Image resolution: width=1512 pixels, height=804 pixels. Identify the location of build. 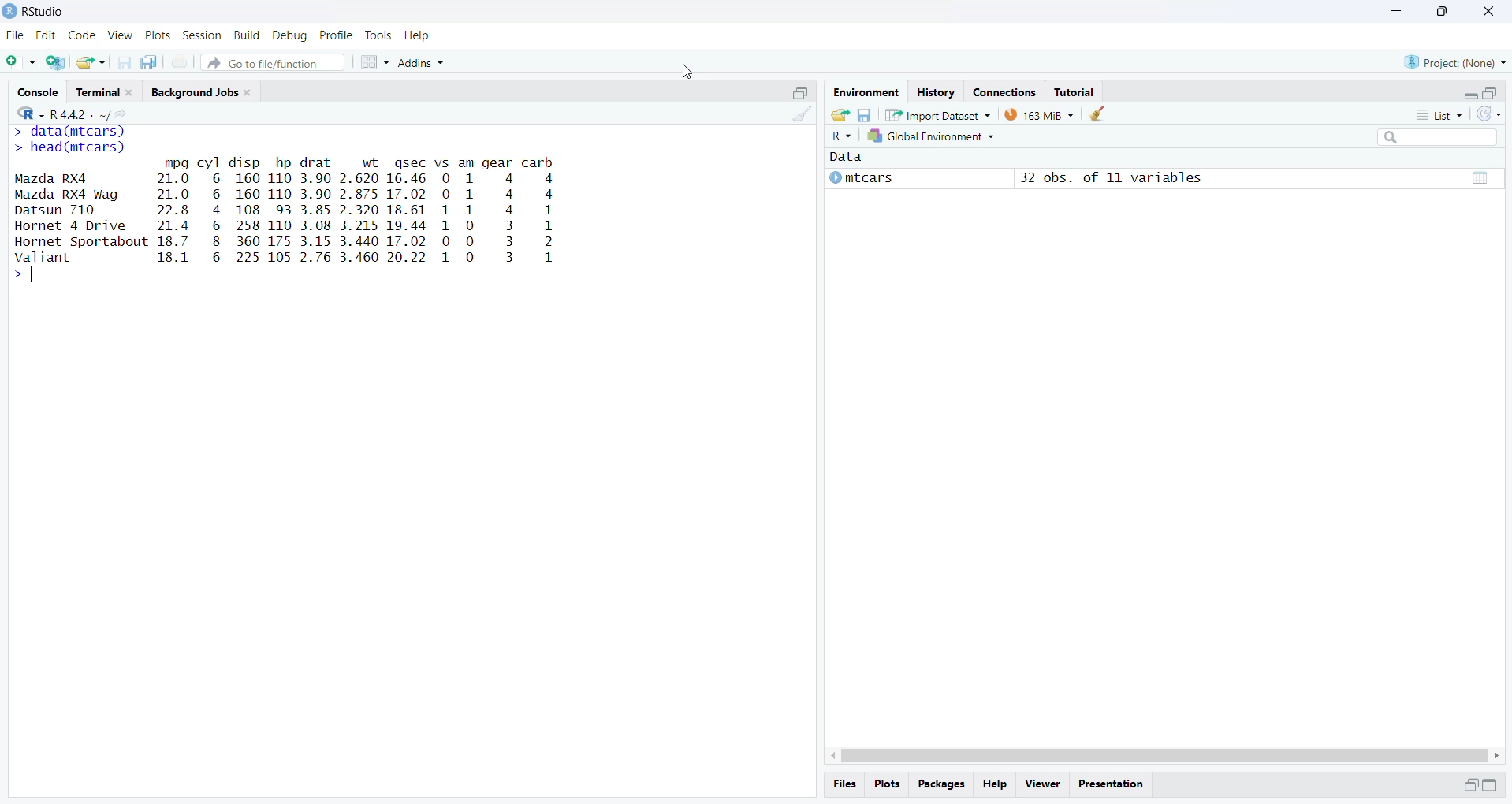
(247, 35).